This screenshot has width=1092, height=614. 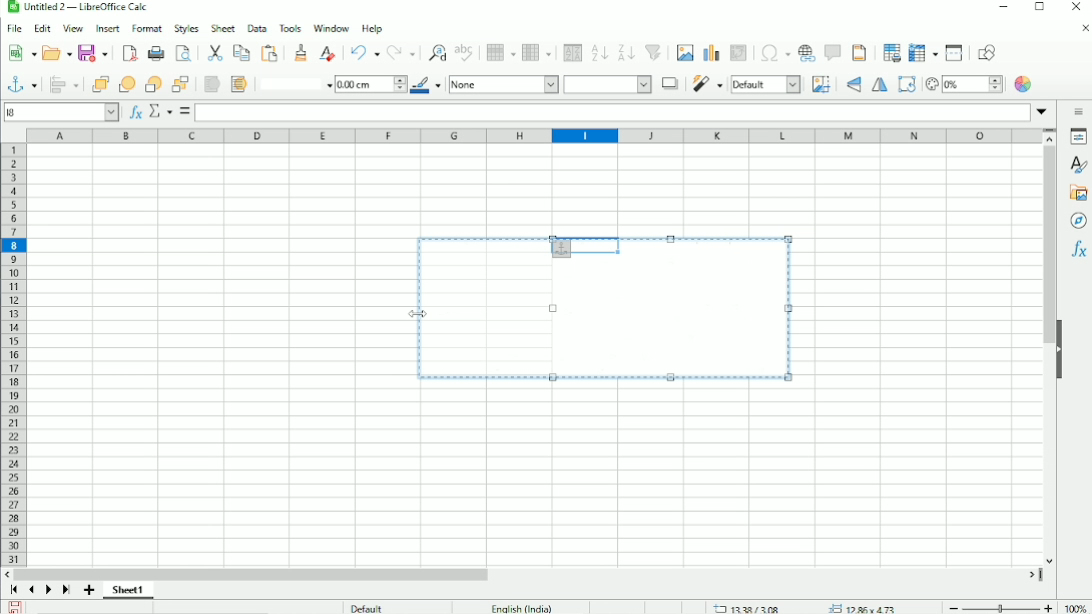 I want to click on Navigator, so click(x=1079, y=221).